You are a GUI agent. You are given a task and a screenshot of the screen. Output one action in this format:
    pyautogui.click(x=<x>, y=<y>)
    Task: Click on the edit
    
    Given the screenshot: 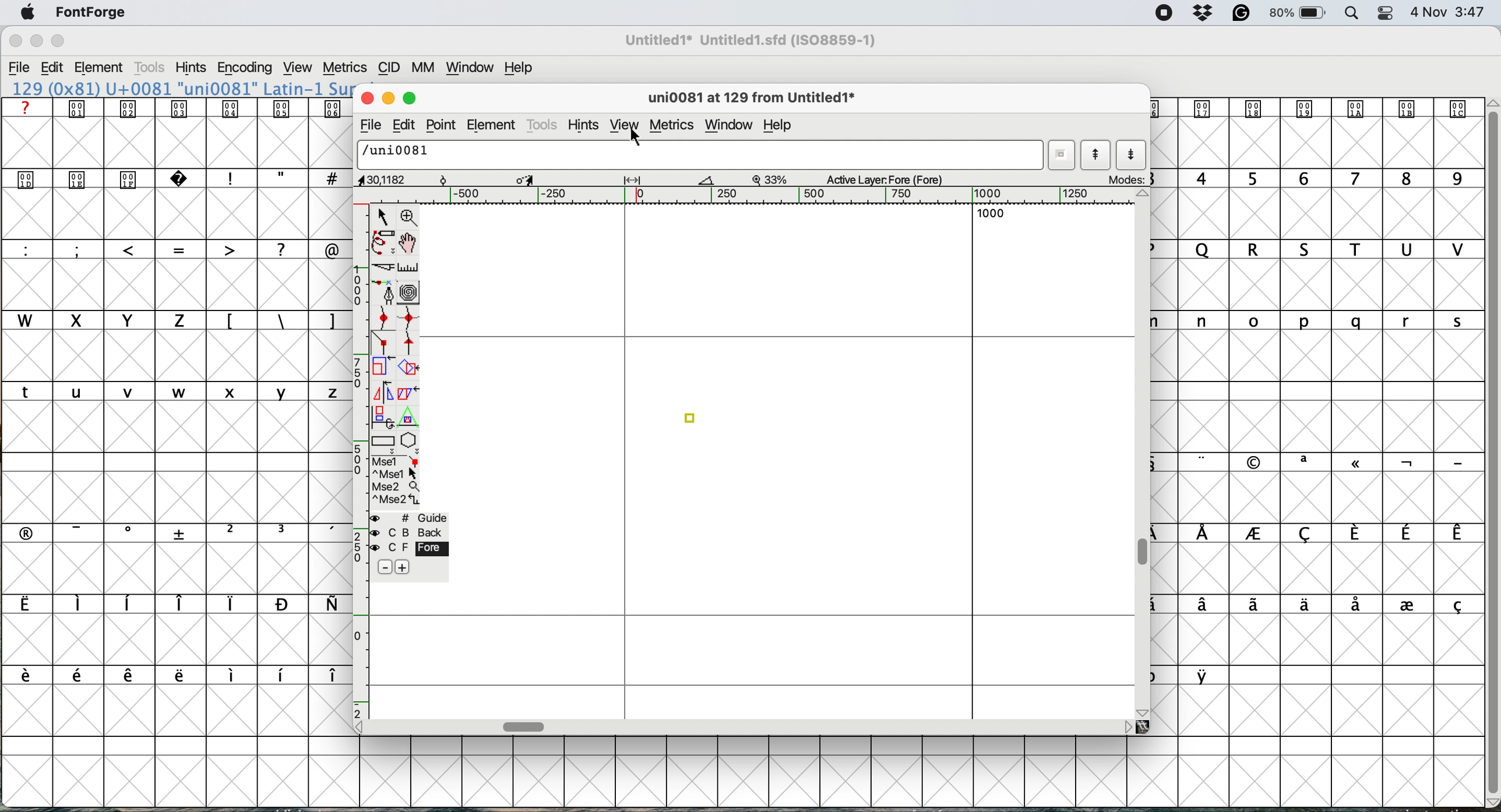 What is the action you would take?
    pyautogui.click(x=404, y=126)
    